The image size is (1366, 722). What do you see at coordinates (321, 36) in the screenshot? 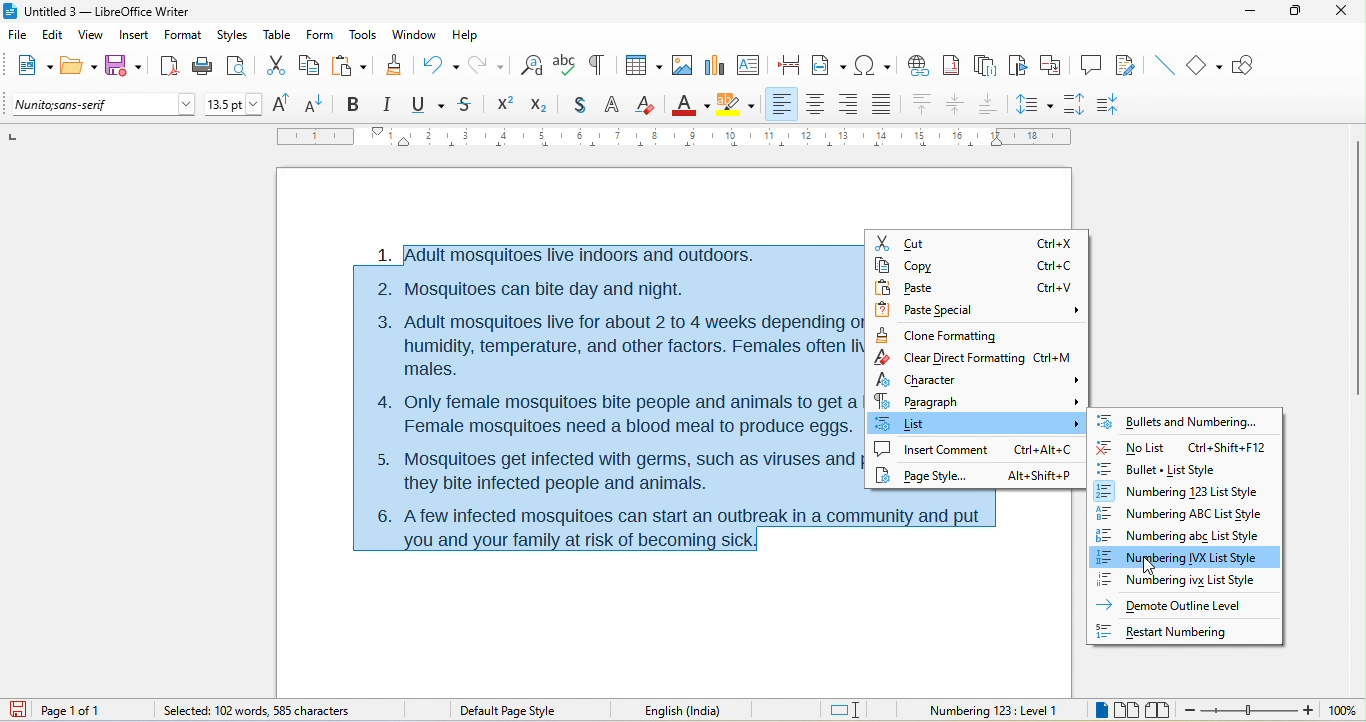
I see `form` at bounding box center [321, 36].